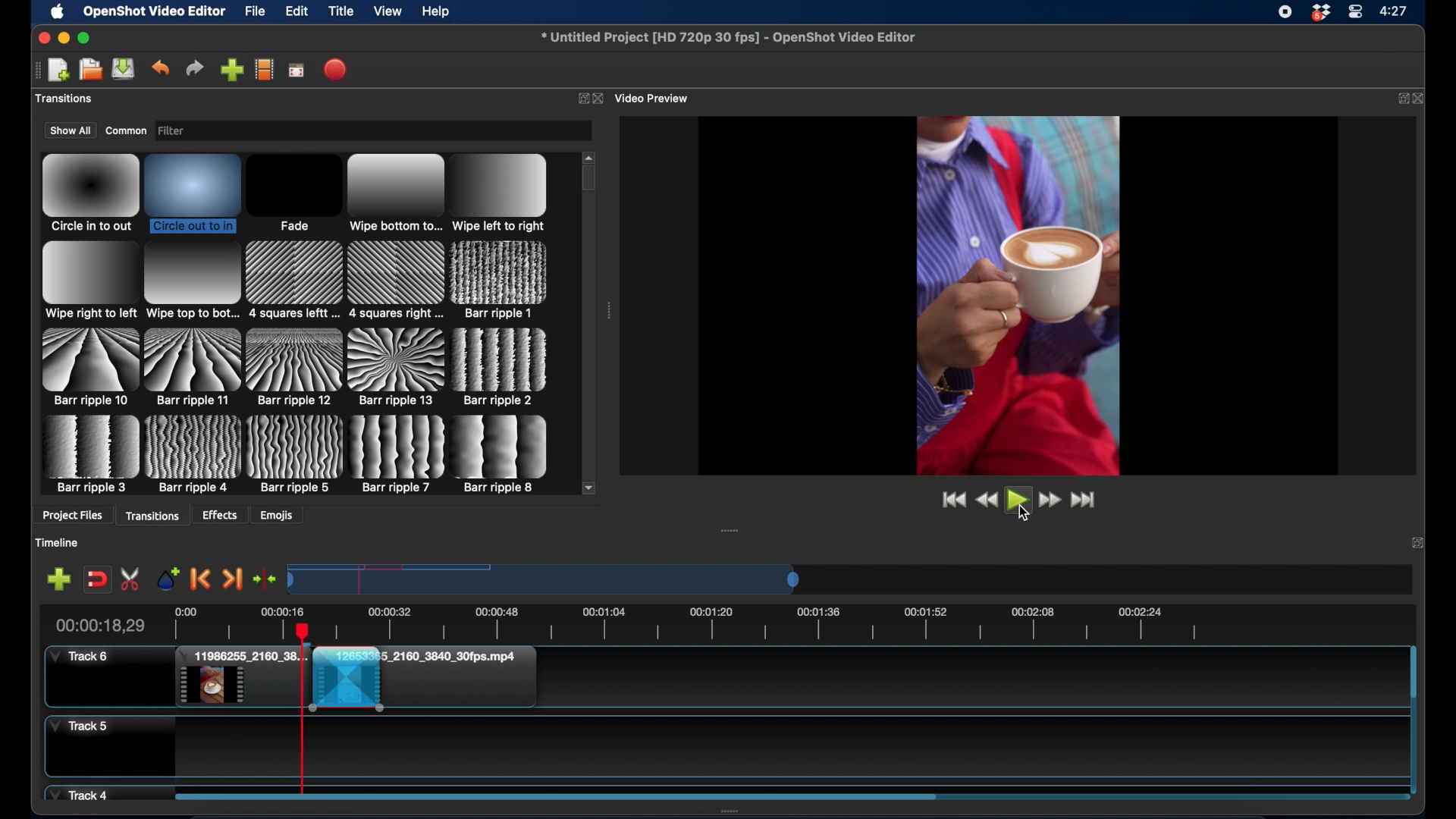 The width and height of the screenshot is (1456, 819). Describe the element at coordinates (600, 99) in the screenshot. I see `close` at that location.